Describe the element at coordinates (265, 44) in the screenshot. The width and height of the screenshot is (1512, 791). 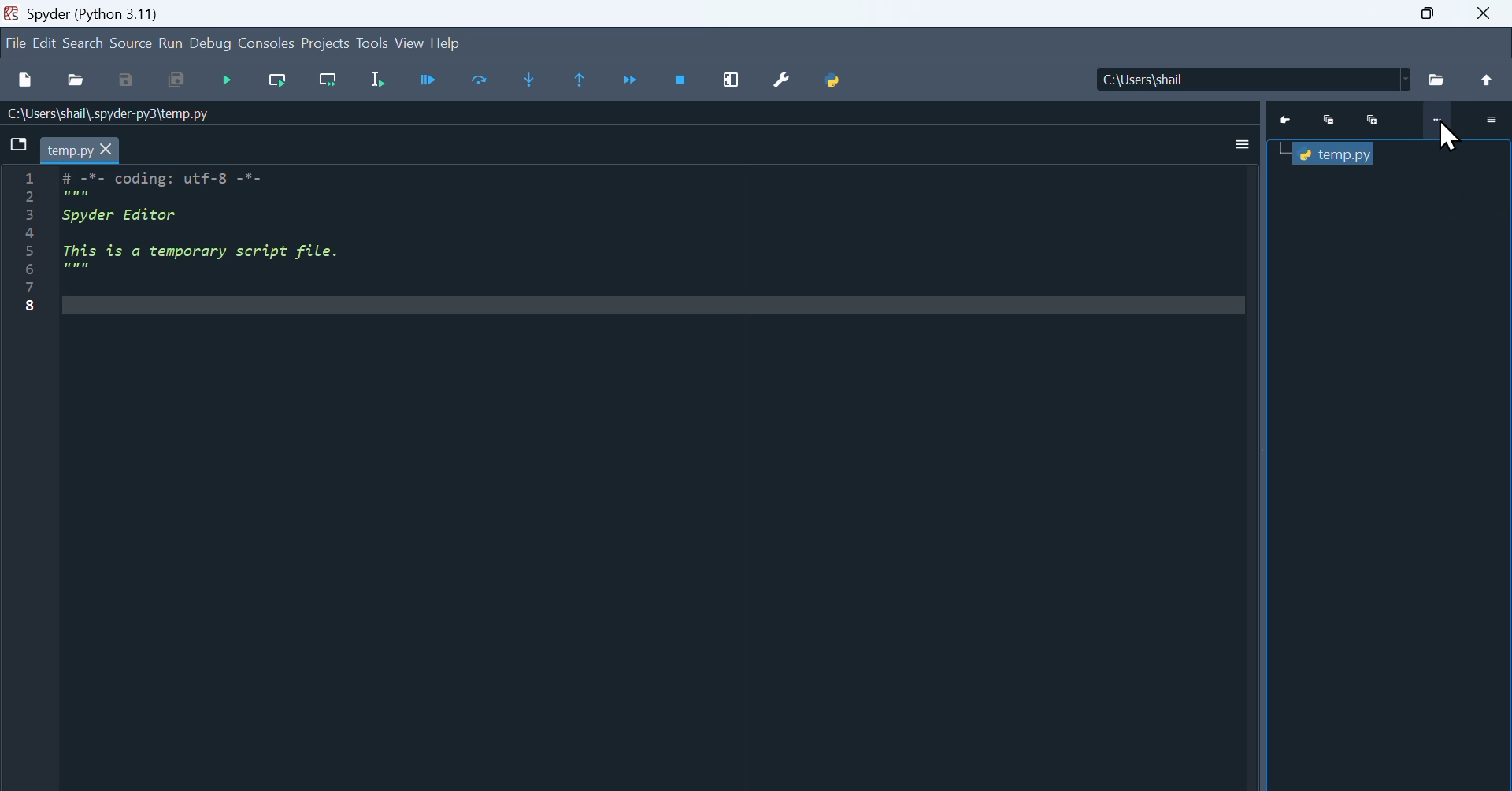
I see `Consoles` at that location.